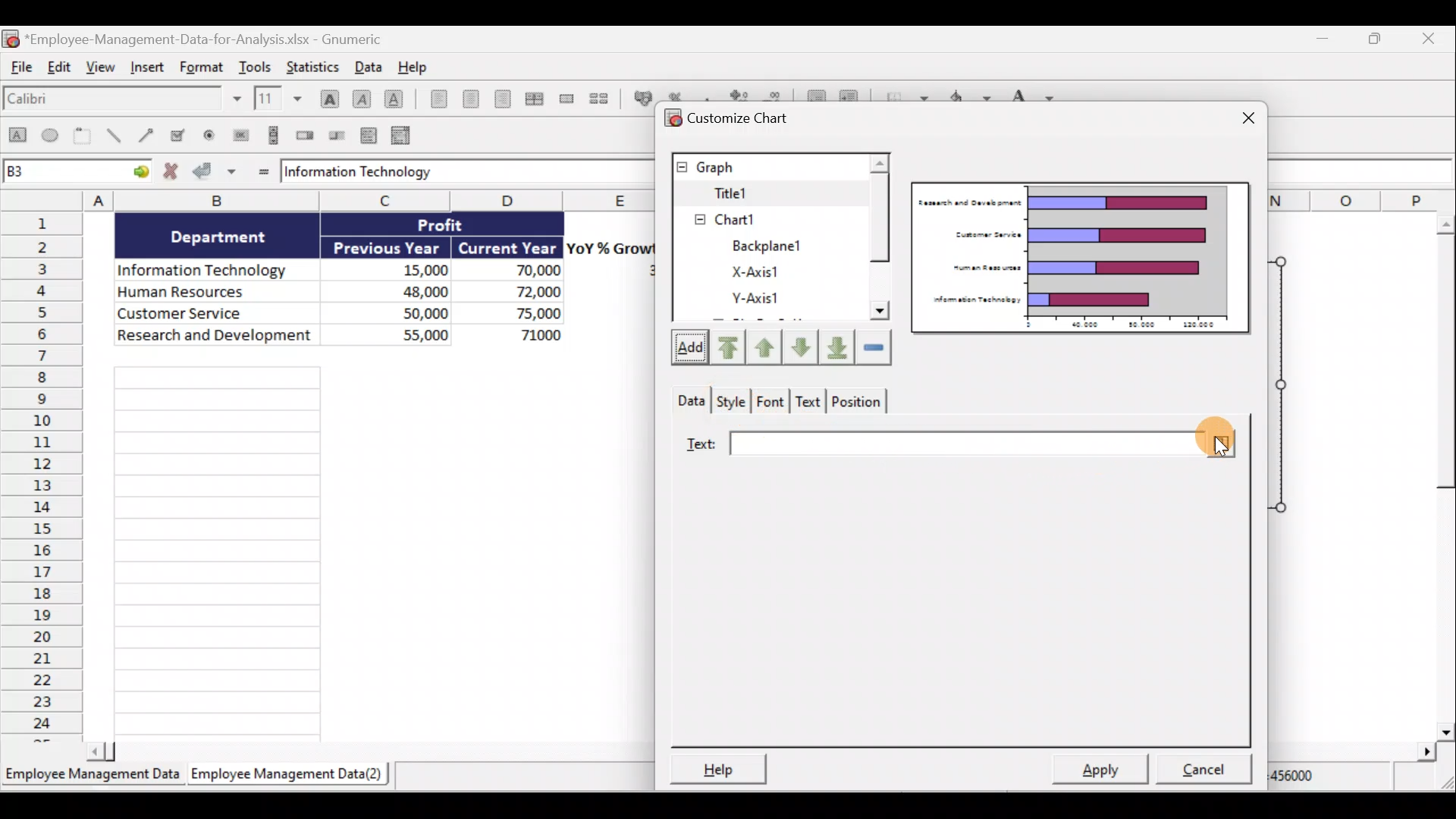 This screenshot has height=819, width=1456. Describe the element at coordinates (782, 245) in the screenshot. I see `X-axis 1` at that location.